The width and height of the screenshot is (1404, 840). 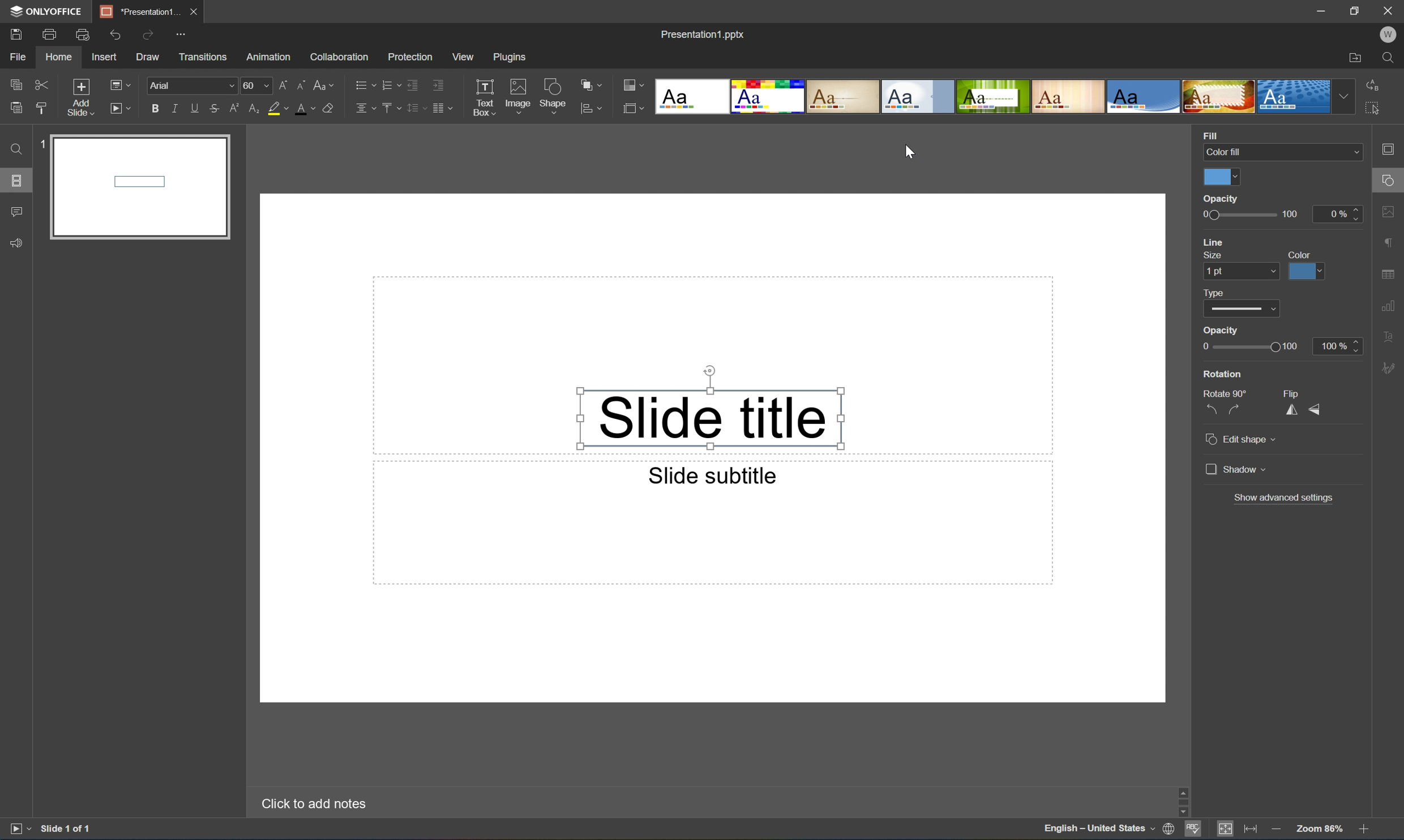 What do you see at coordinates (1251, 830) in the screenshot?
I see `Fit to width` at bounding box center [1251, 830].